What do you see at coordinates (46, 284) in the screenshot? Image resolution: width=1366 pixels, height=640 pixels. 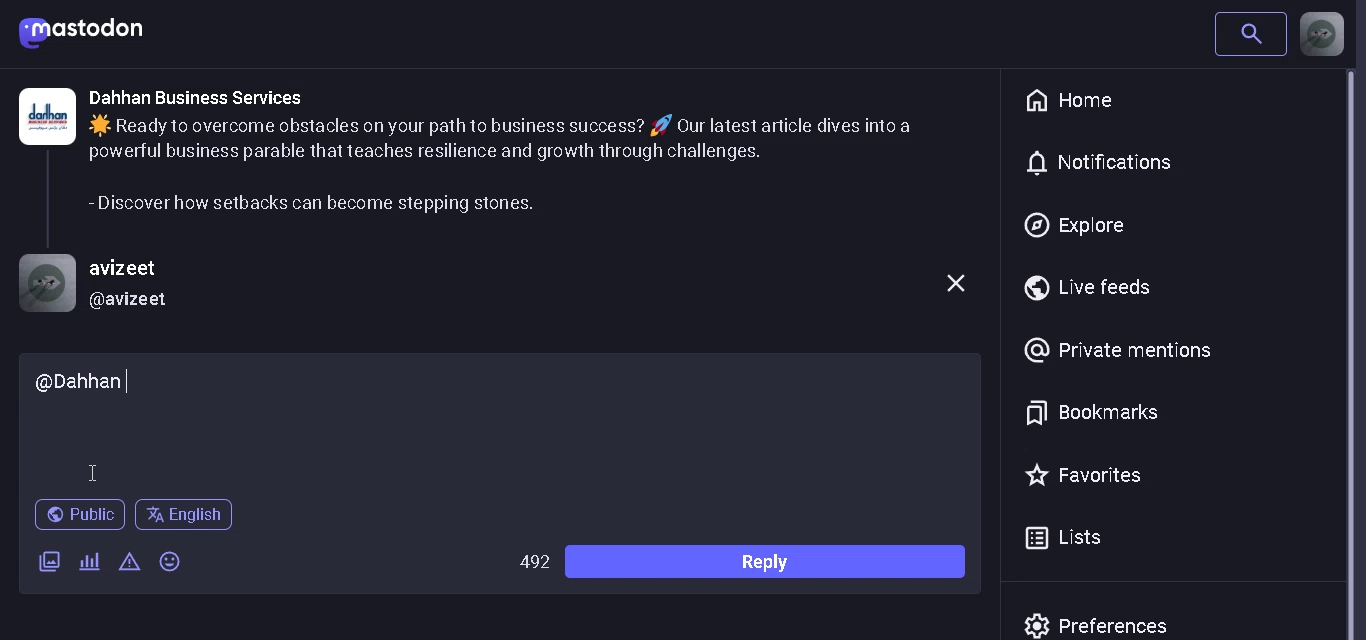 I see `profile picture` at bounding box center [46, 284].